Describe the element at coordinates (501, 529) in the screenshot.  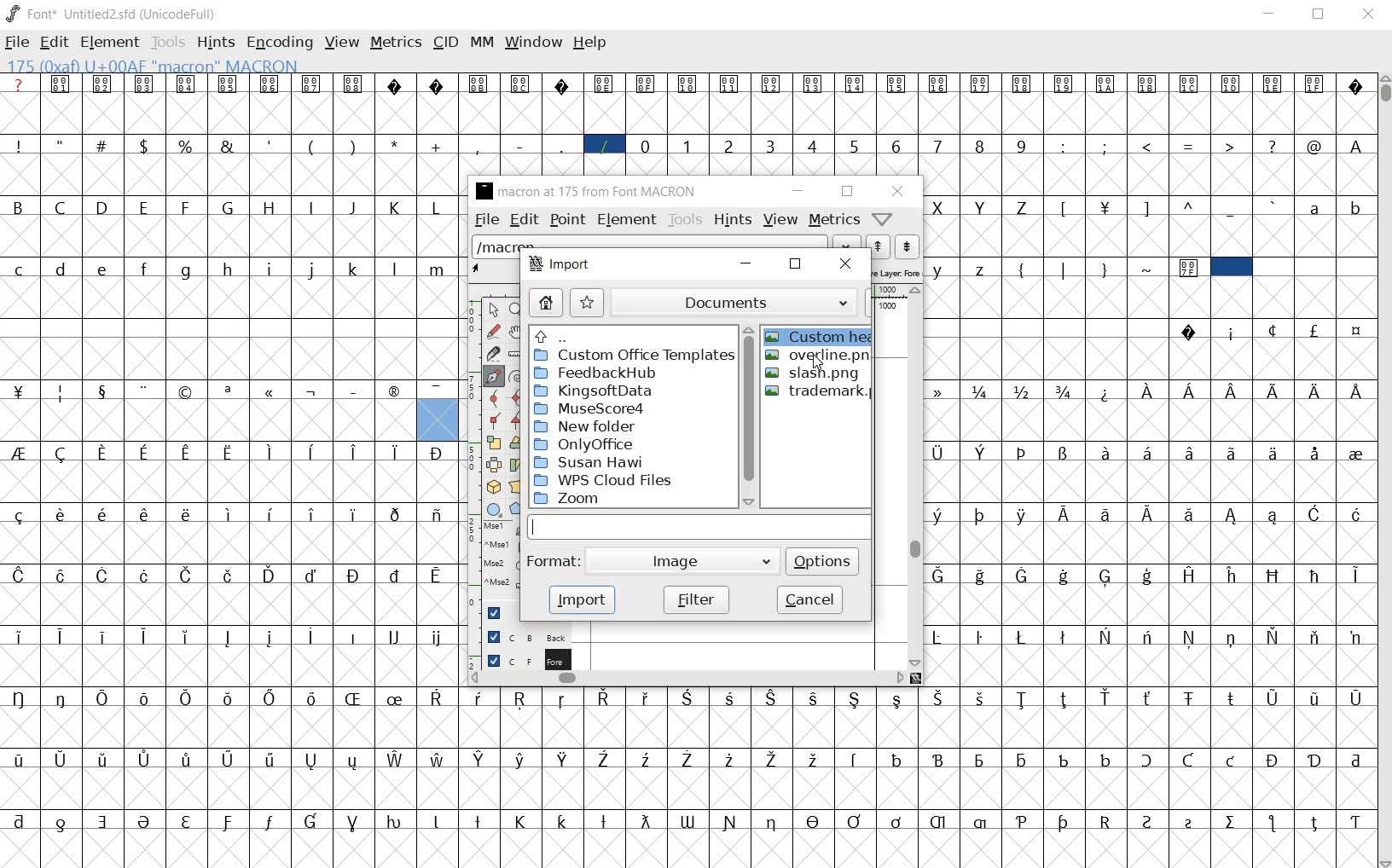
I see `Mouse left button` at that location.